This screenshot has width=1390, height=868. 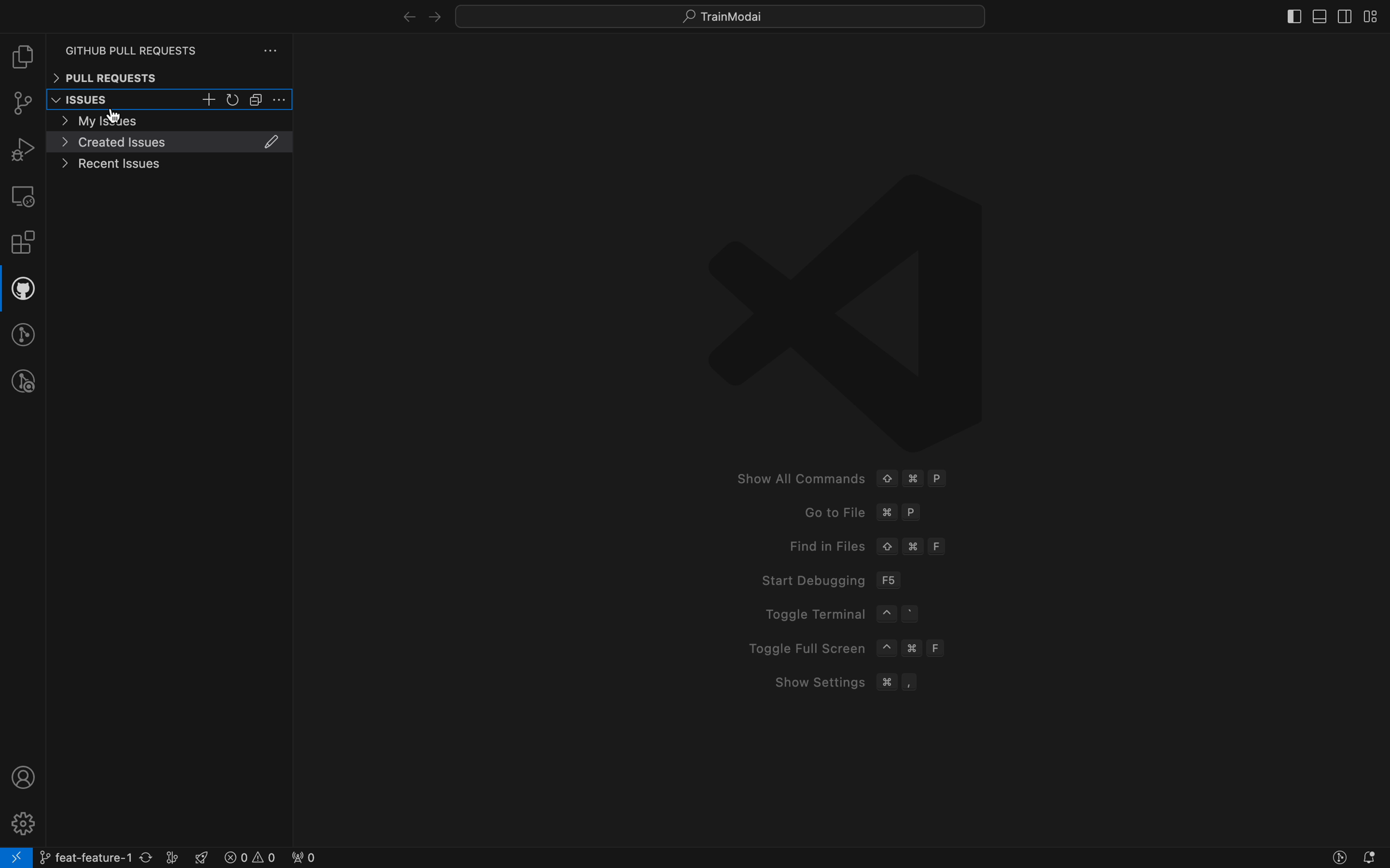 I want to click on reload, so click(x=234, y=100).